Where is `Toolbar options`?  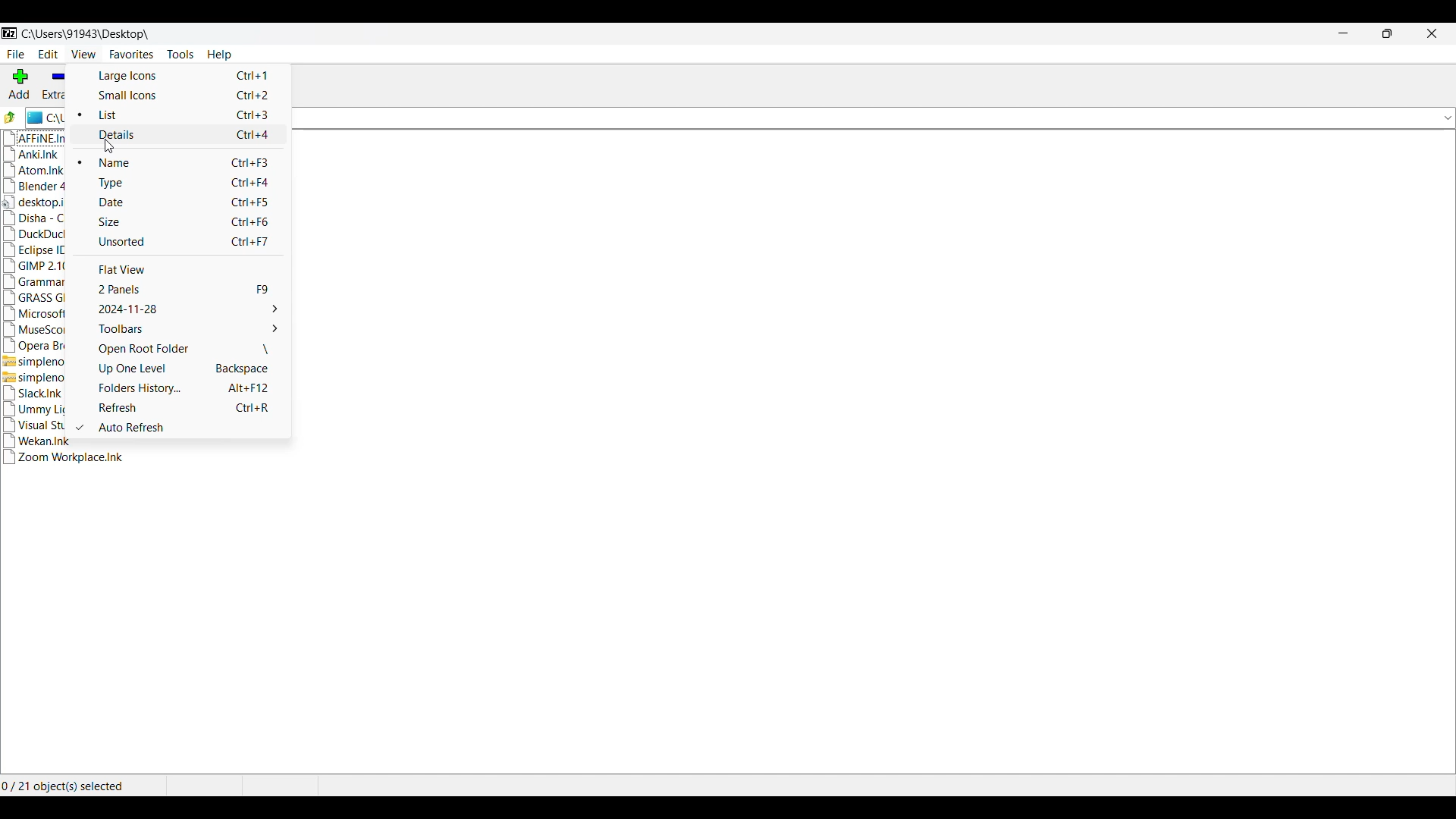
Toolbar options is located at coordinates (188, 328).